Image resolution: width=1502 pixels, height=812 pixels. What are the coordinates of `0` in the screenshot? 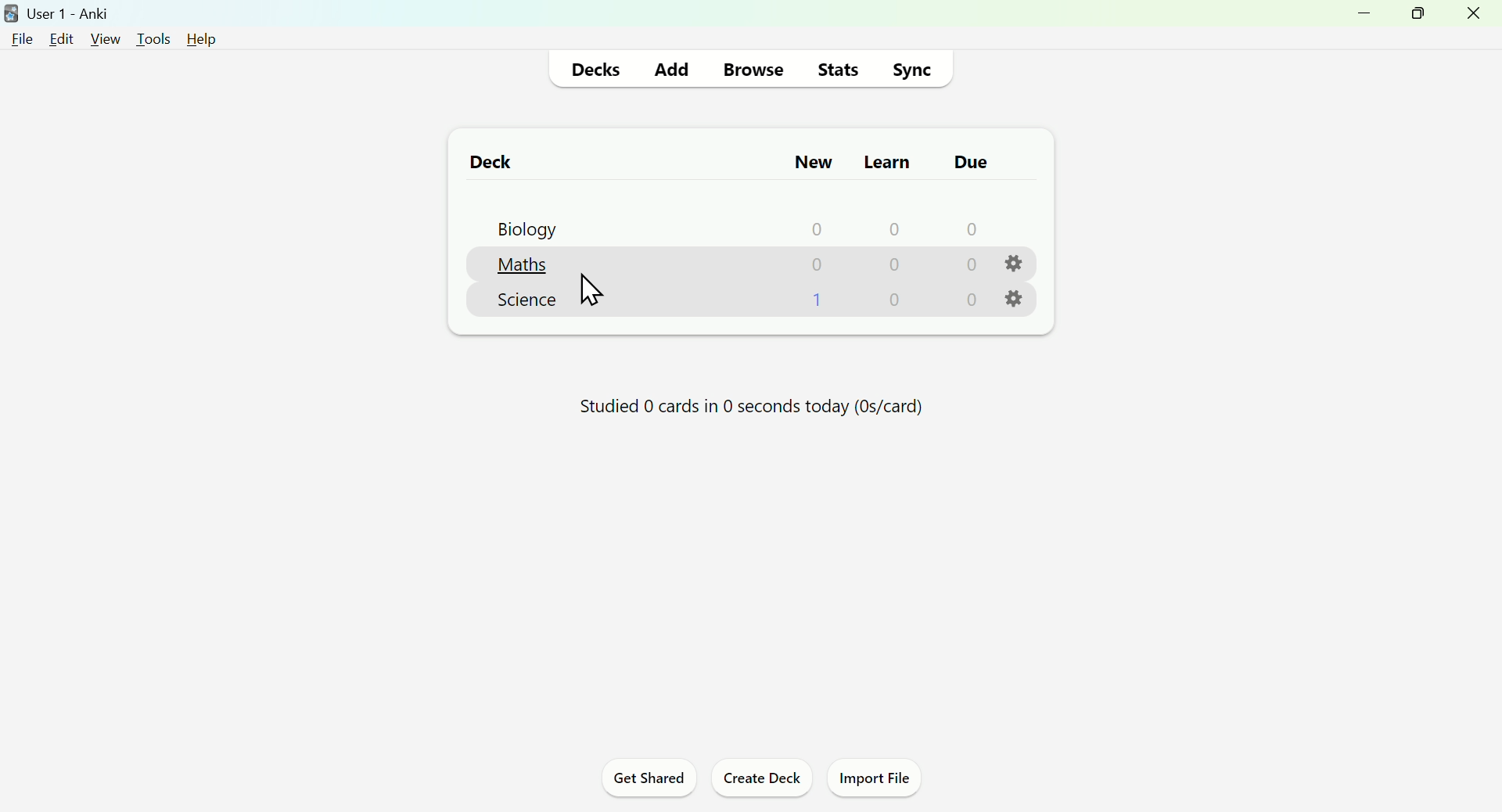 It's located at (897, 266).